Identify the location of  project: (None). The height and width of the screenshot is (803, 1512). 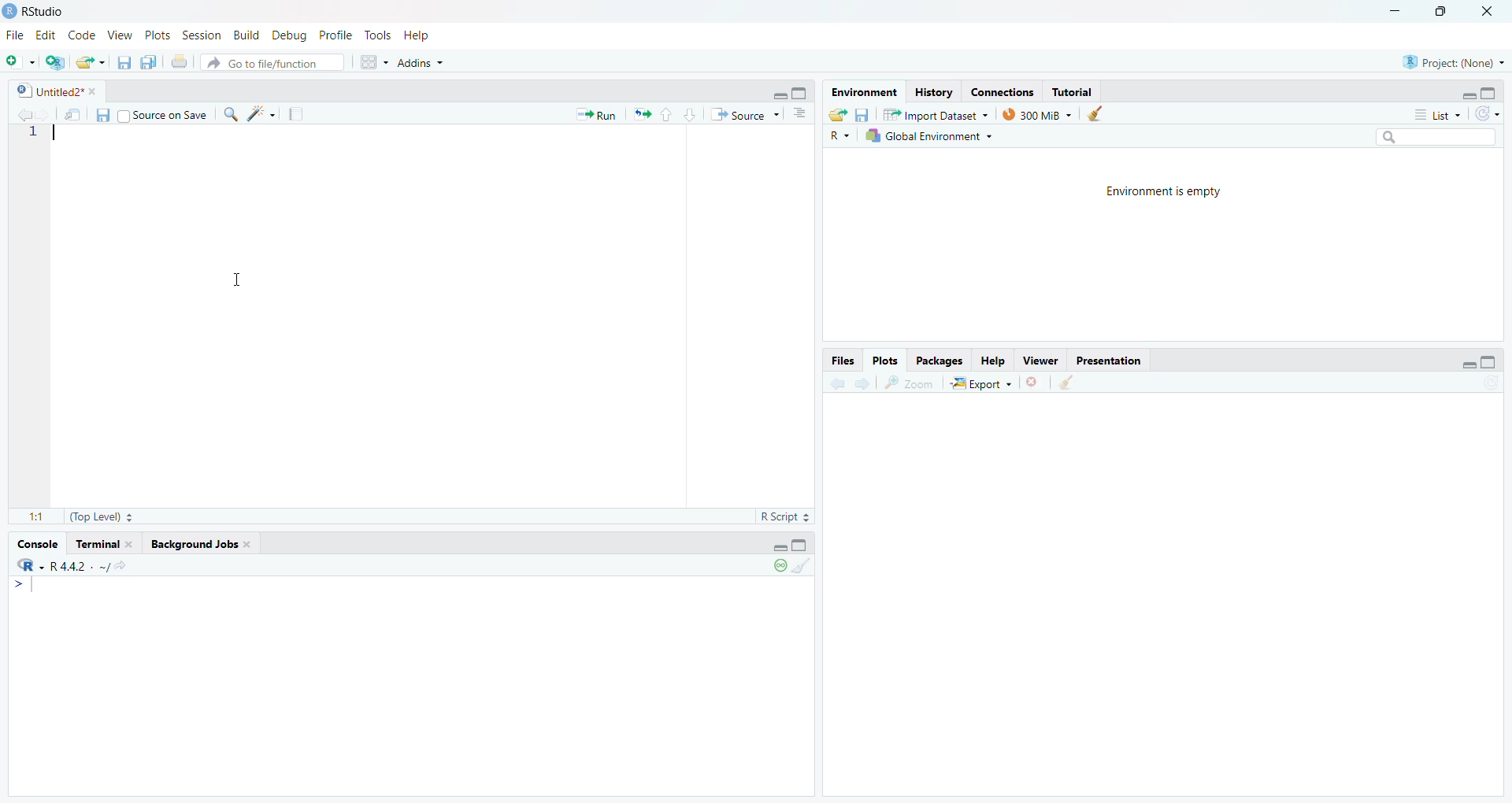
(1453, 61).